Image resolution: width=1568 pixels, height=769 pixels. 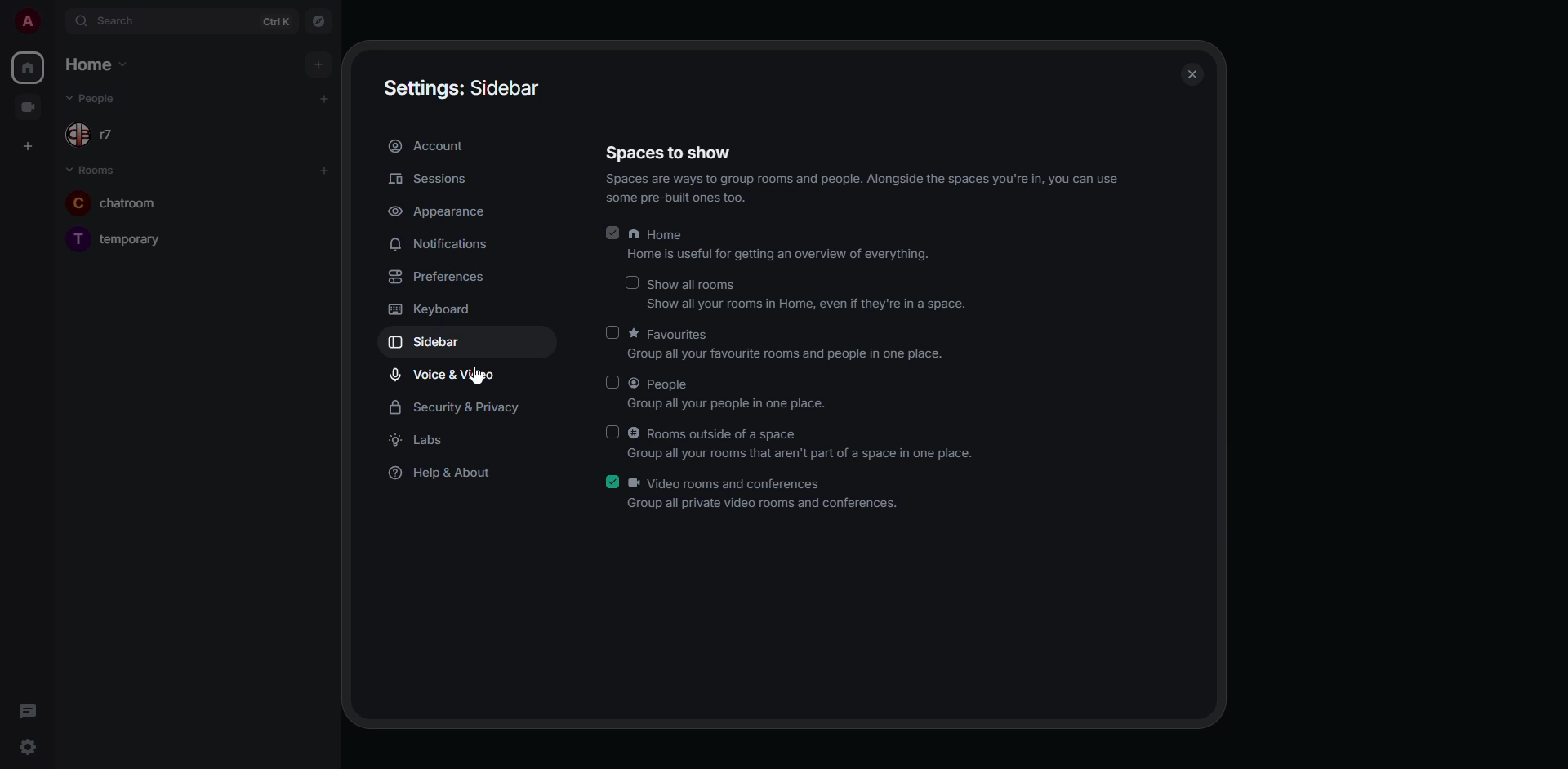 What do you see at coordinates (320, 63) in the screenshot?
I see `add` at bounding box center [320, 63].